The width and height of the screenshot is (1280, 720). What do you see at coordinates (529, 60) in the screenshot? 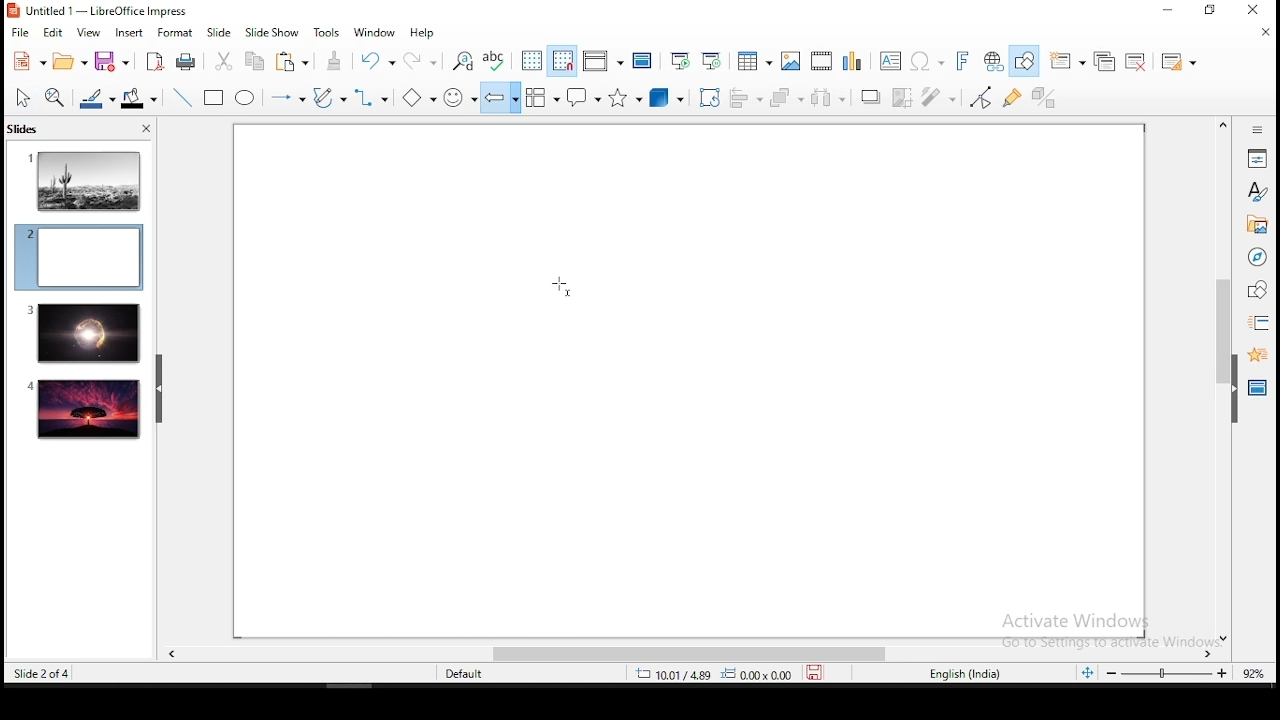
I see `display grid` at bounding box center [529, 60].